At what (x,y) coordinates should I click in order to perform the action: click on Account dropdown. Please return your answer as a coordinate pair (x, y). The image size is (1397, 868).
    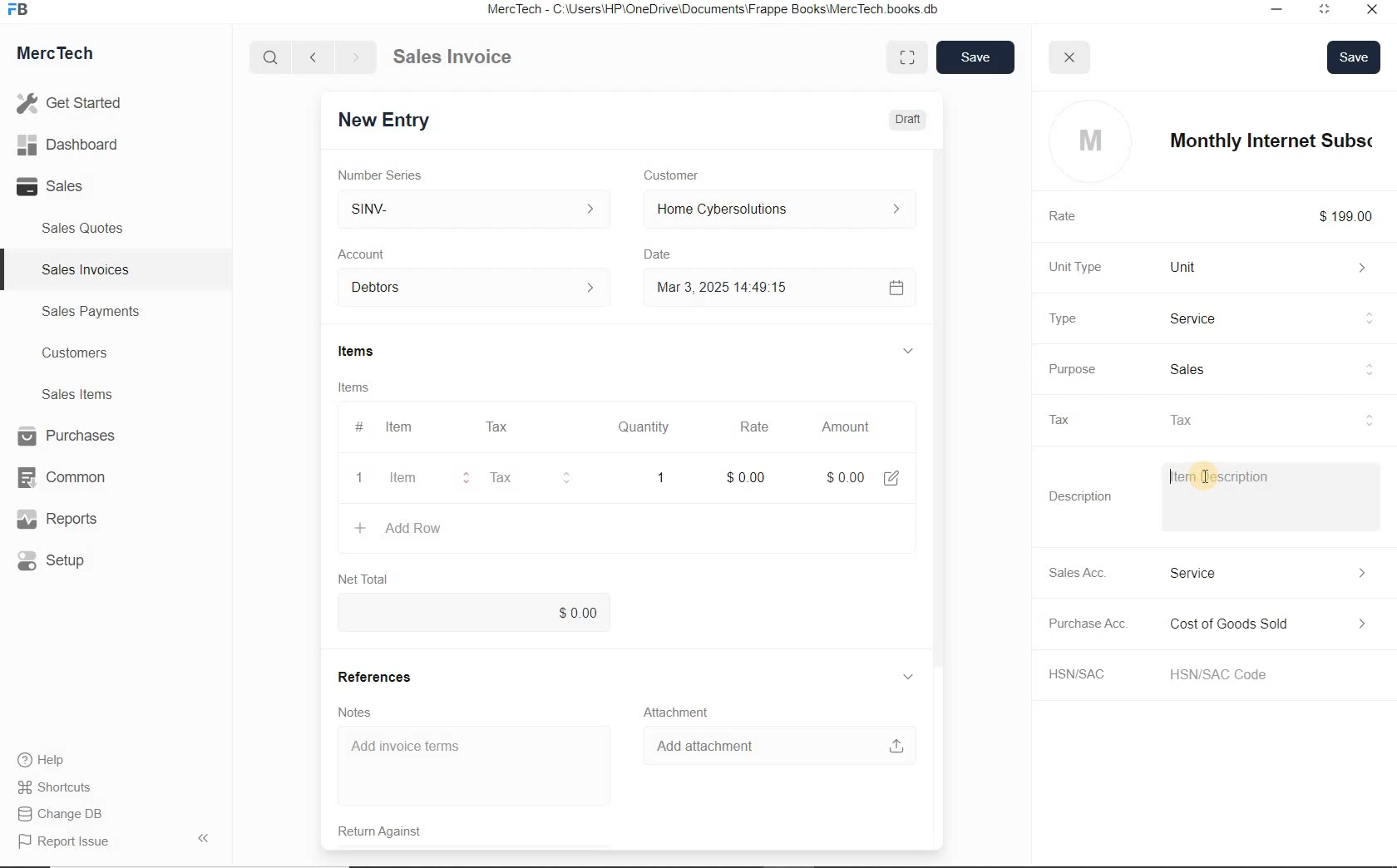
    Looking at the image, I should click on (474, 289).